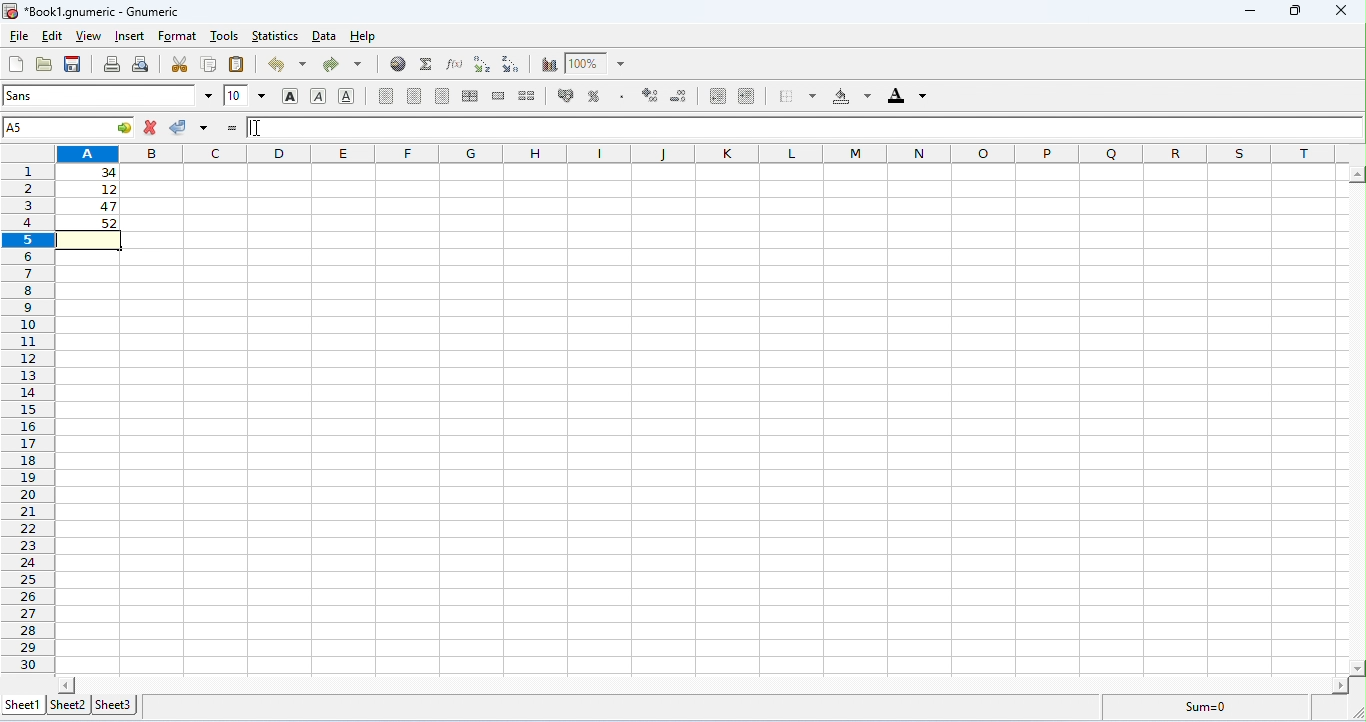  Describe the element at coordinates (326, 36) in the screenshot. I see `data` at that location.